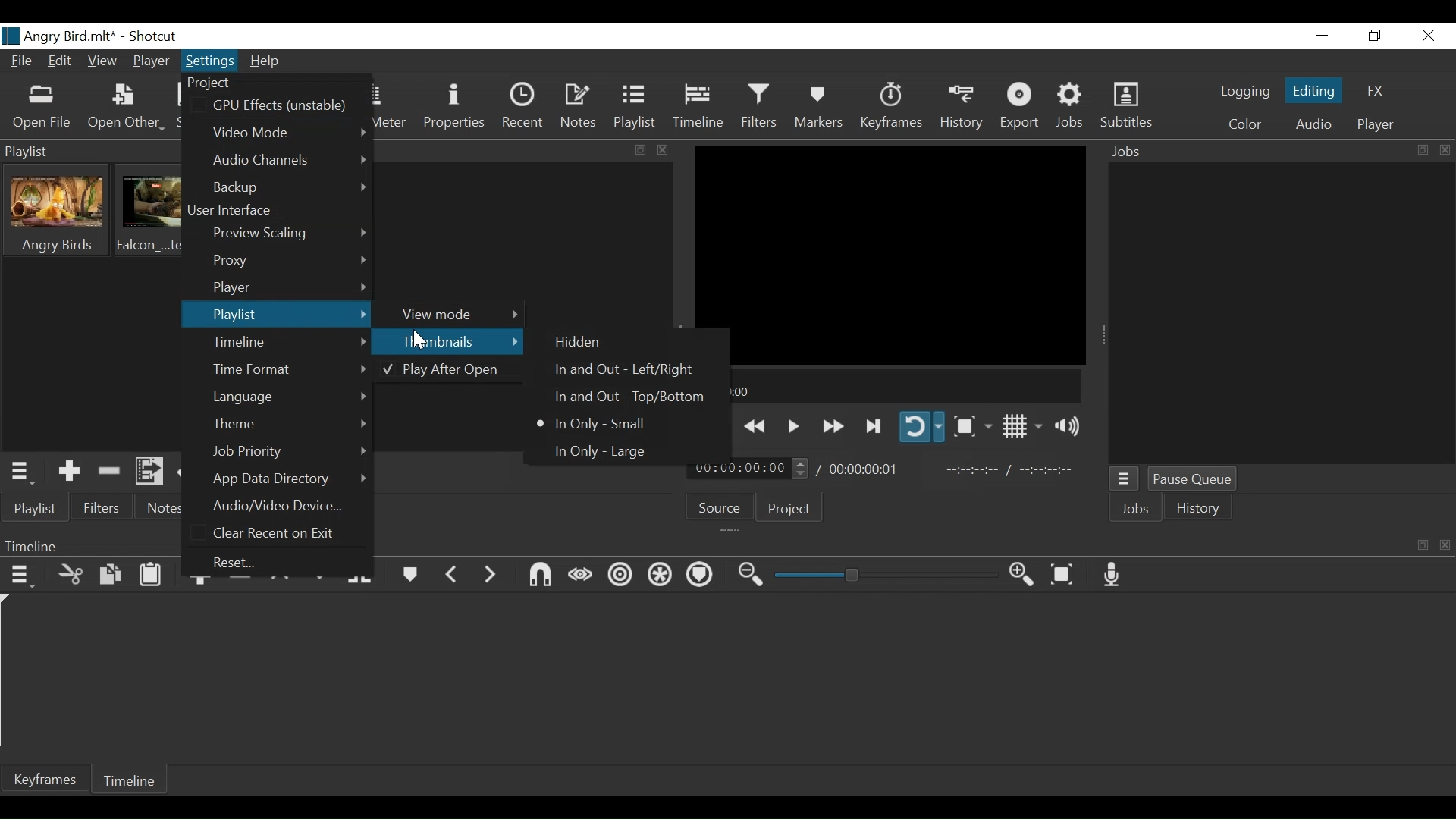  What do you see at coordinates (163, 508) in the screenshot?
I see `Notes` at bounding box center [163, 508].